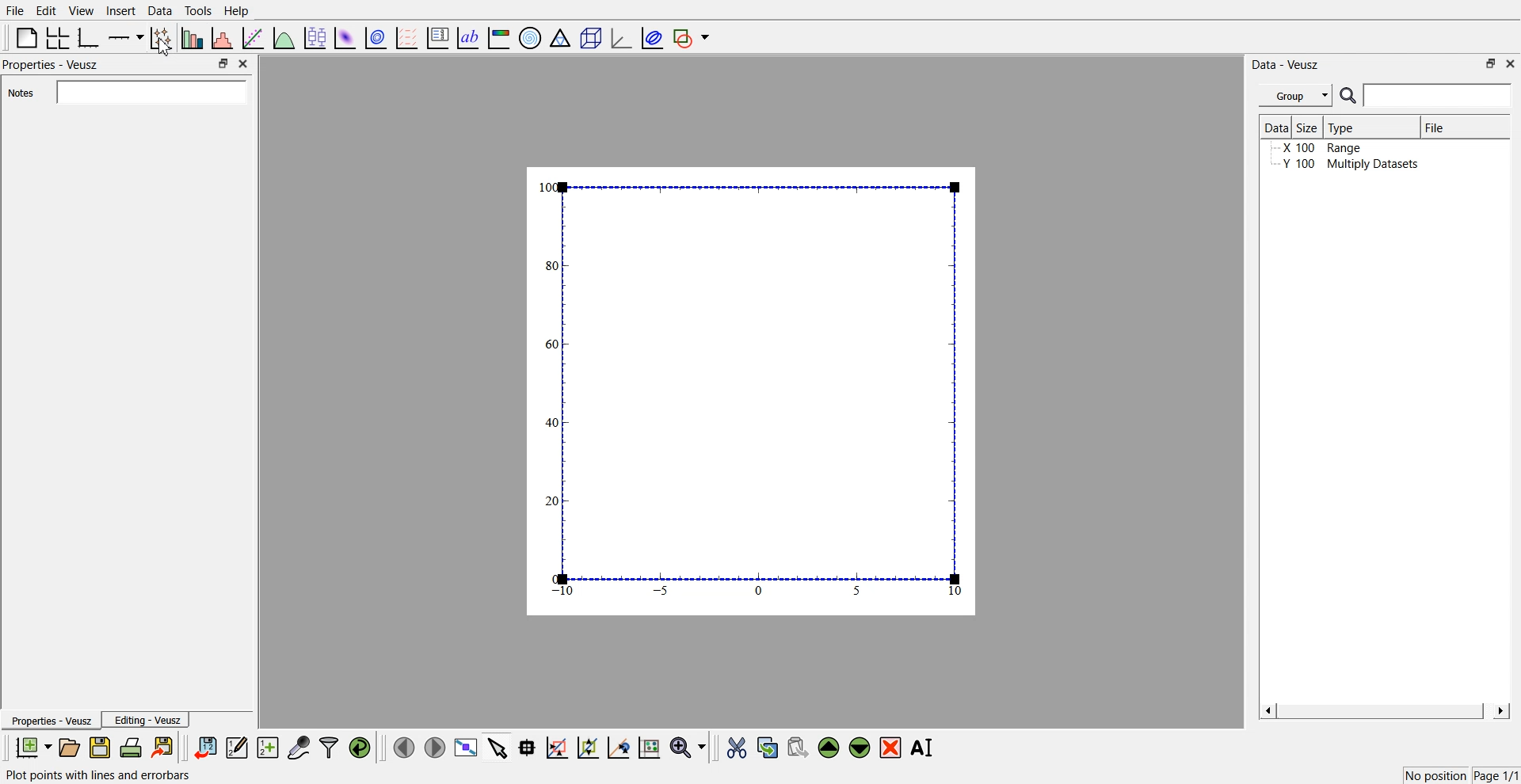 Image resolution: width=1521 pixels, height=784 pixels. I want to click on plot key, so click(437, 38).